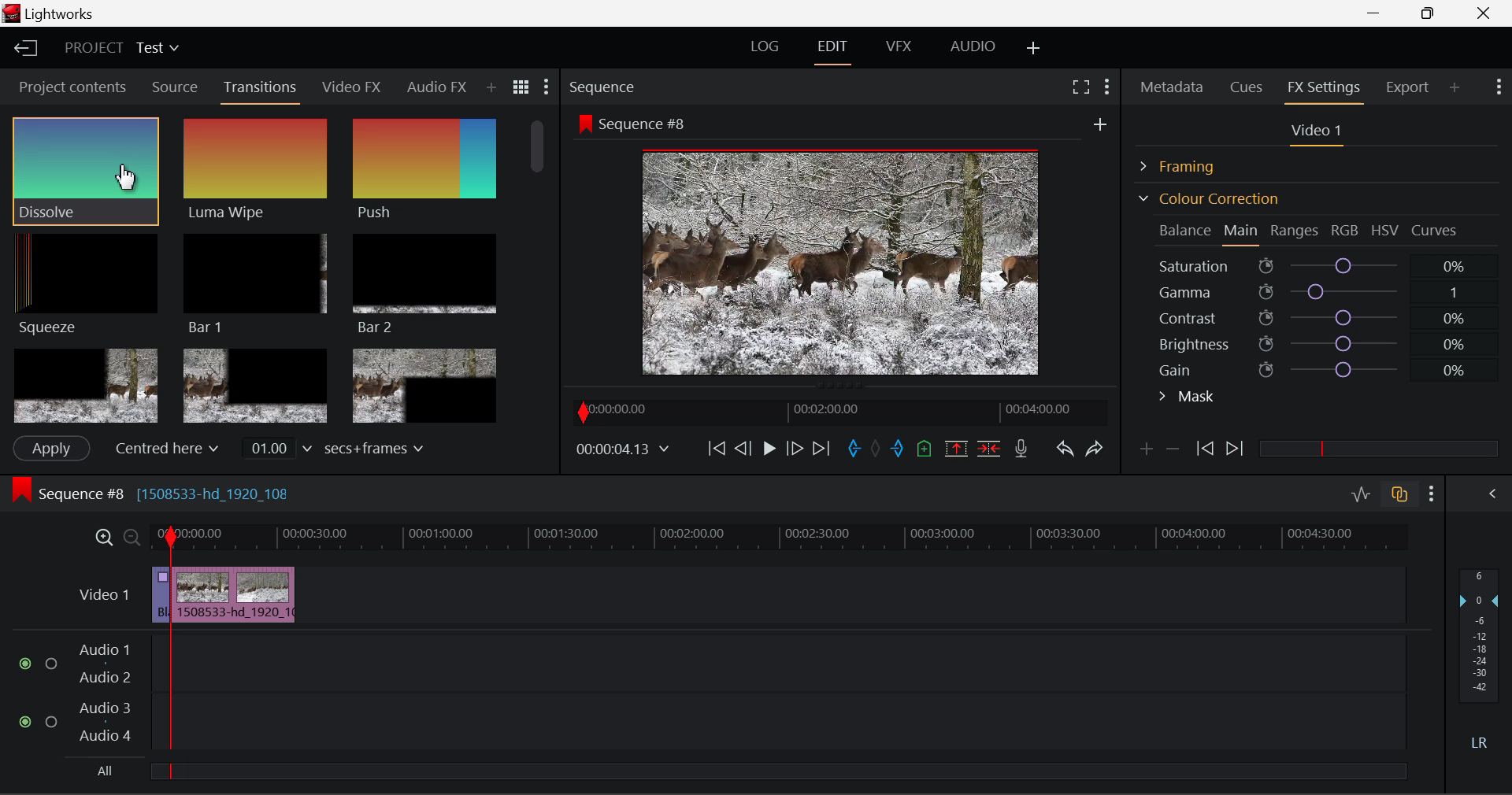 This screenshot has height=795, width=1512. What do you see at coordinates (1410, 87) in the screenshot?
I see `Export Panel` at bounding box center [1410, 87].